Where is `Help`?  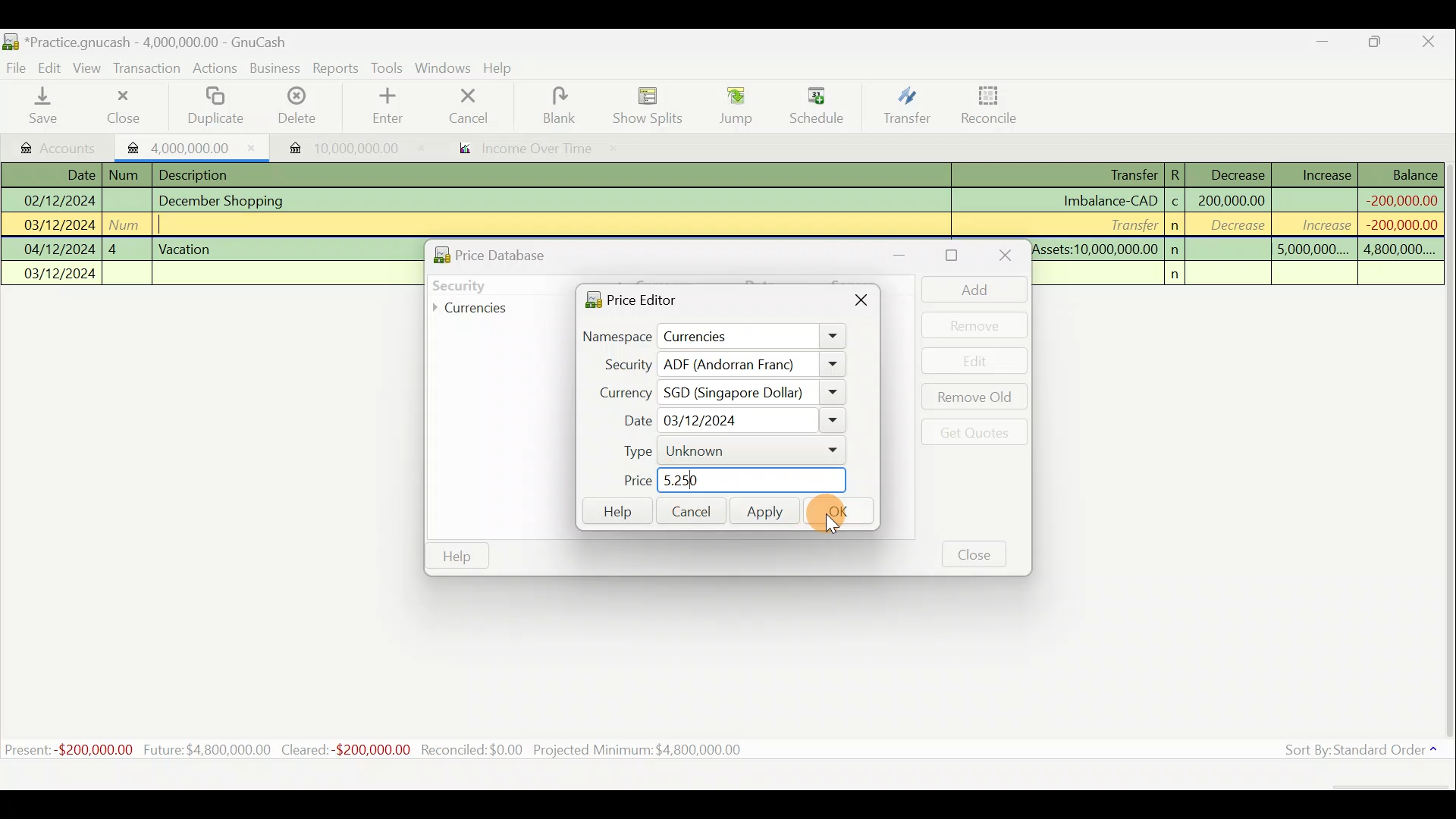 Help is located at coordinates (616, 512).